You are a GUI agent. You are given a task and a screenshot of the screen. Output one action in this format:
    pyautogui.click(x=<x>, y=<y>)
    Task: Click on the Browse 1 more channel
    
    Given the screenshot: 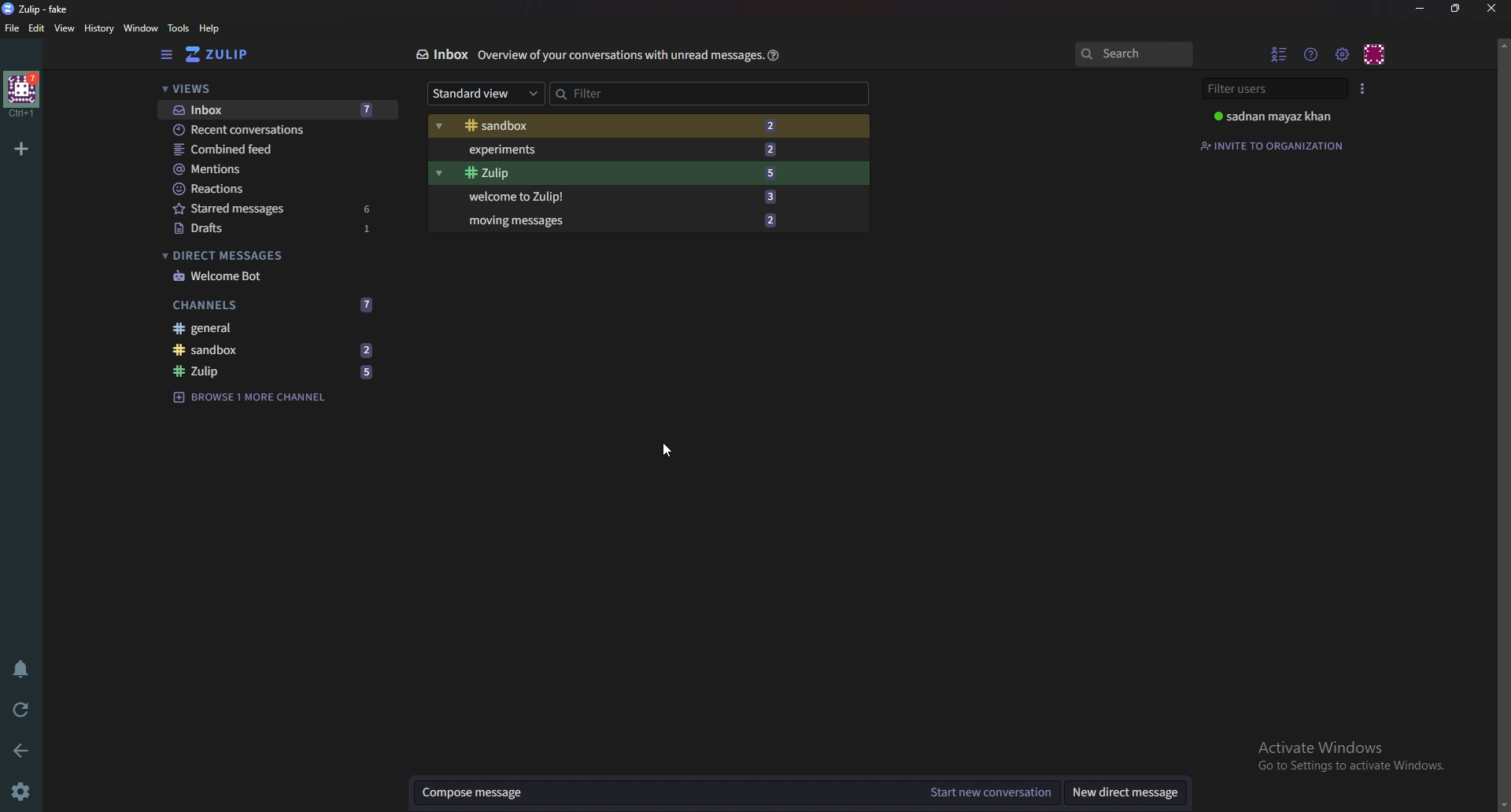 What is the action you would take?
    pyautogui.click(x=252, y=401)
    